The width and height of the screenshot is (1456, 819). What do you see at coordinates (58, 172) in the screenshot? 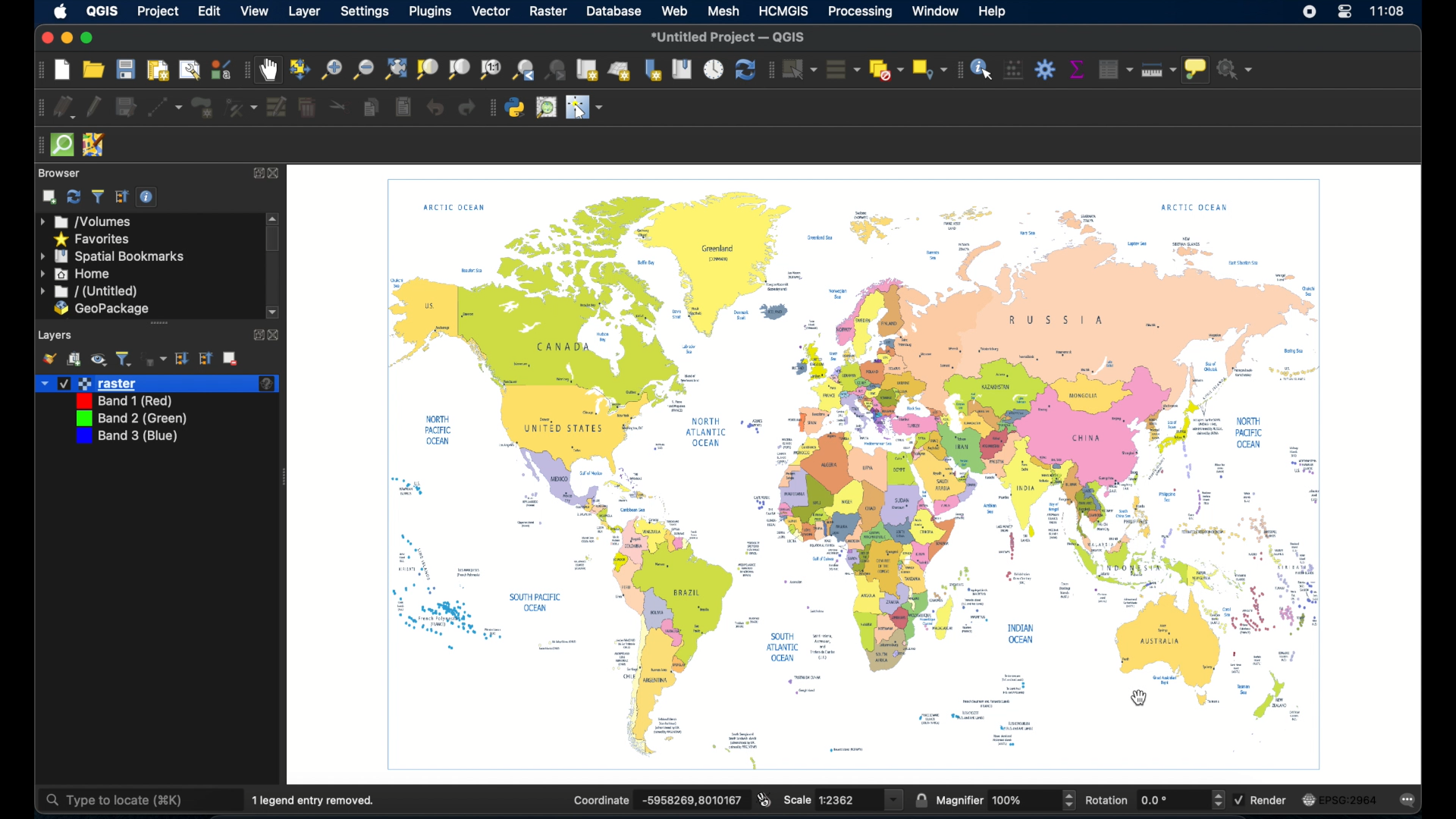
I see `browser` at bounding box center [58, 172].